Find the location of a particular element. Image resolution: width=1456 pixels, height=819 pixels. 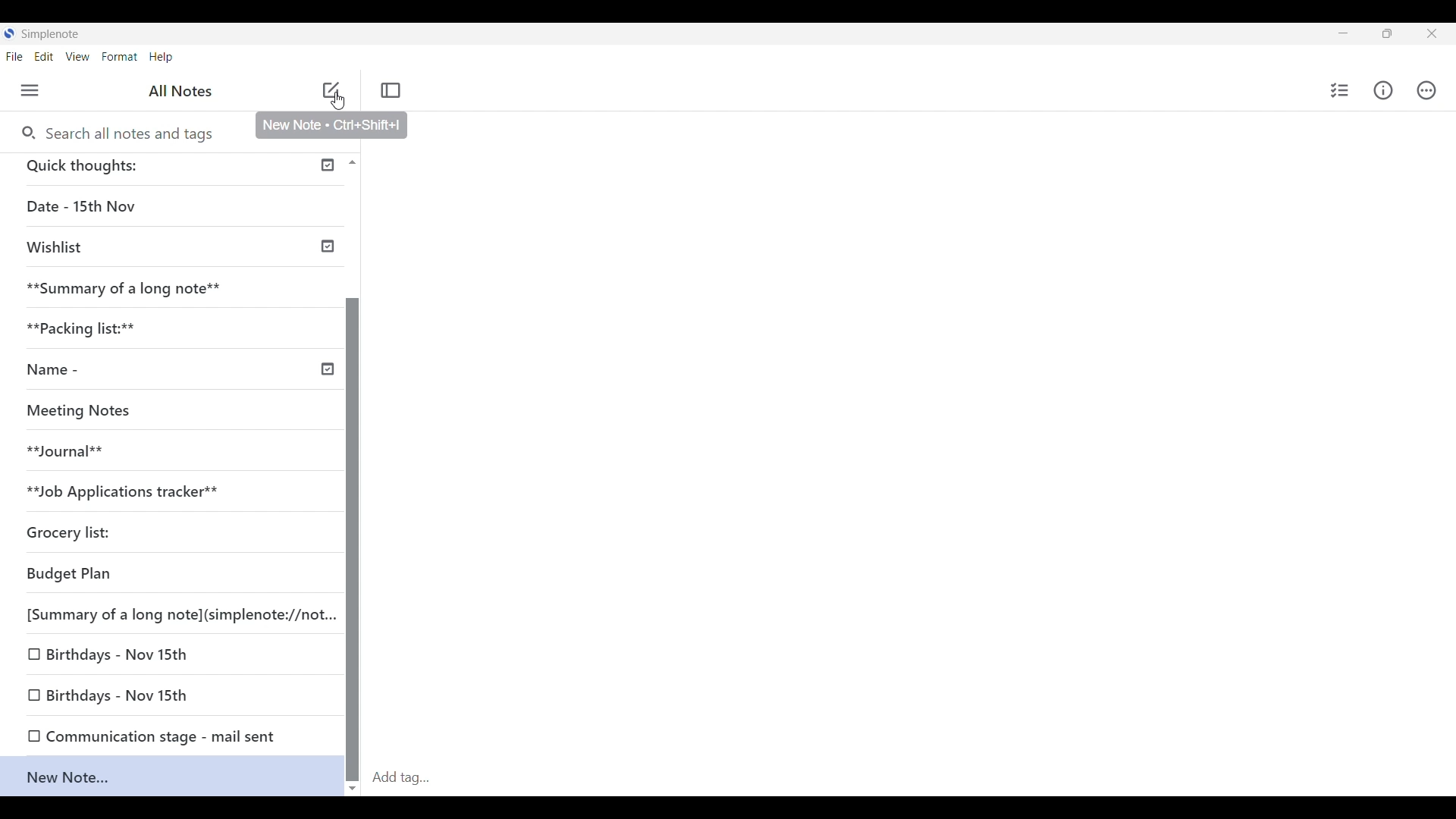

Help  is located at coordinates (162, 58).